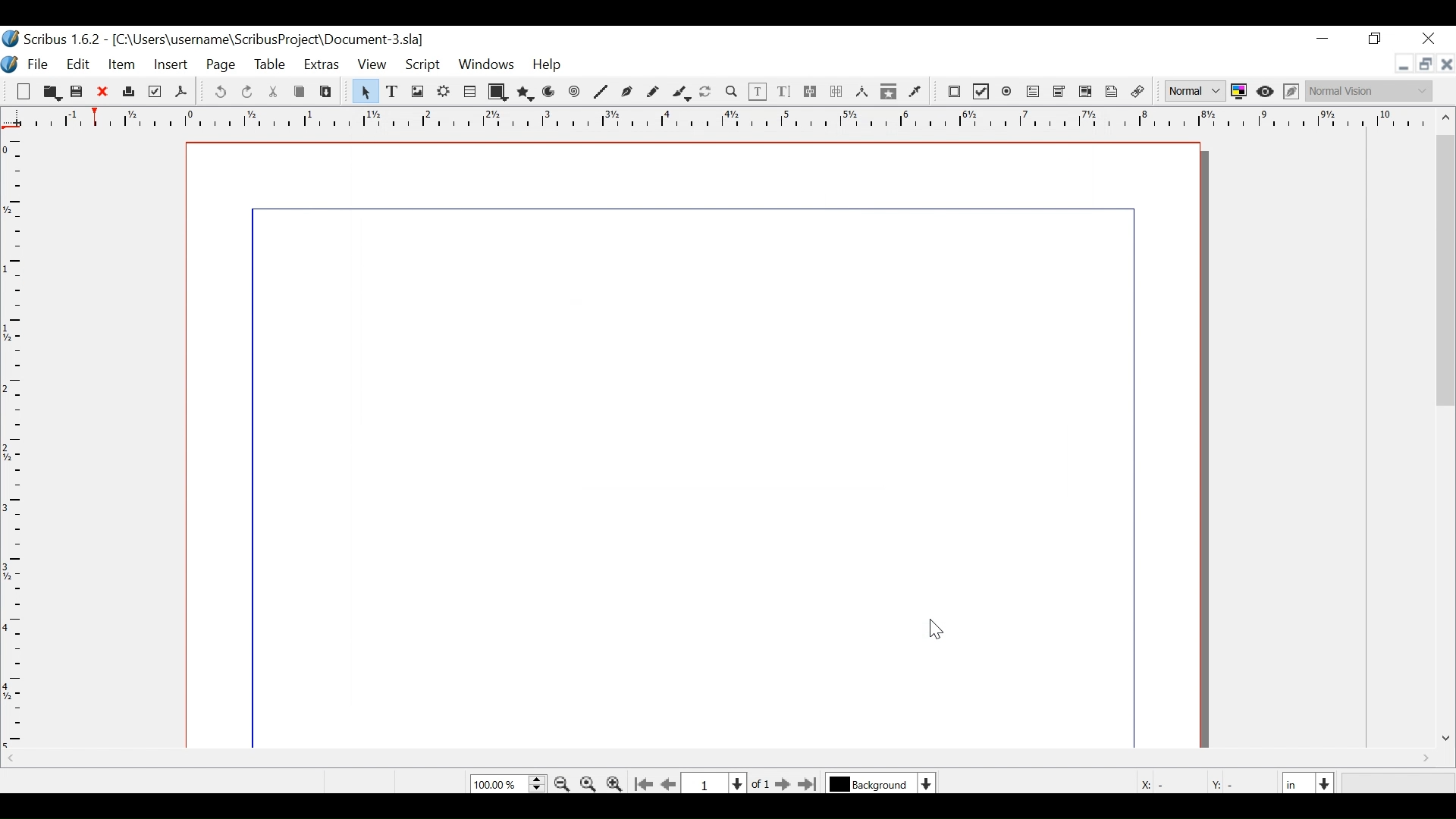 The height and width of the screenshot is (819, 1456). Describe the element at coordinates (1087, 93) in the screenshot. I see `PDF List Box` at that location.